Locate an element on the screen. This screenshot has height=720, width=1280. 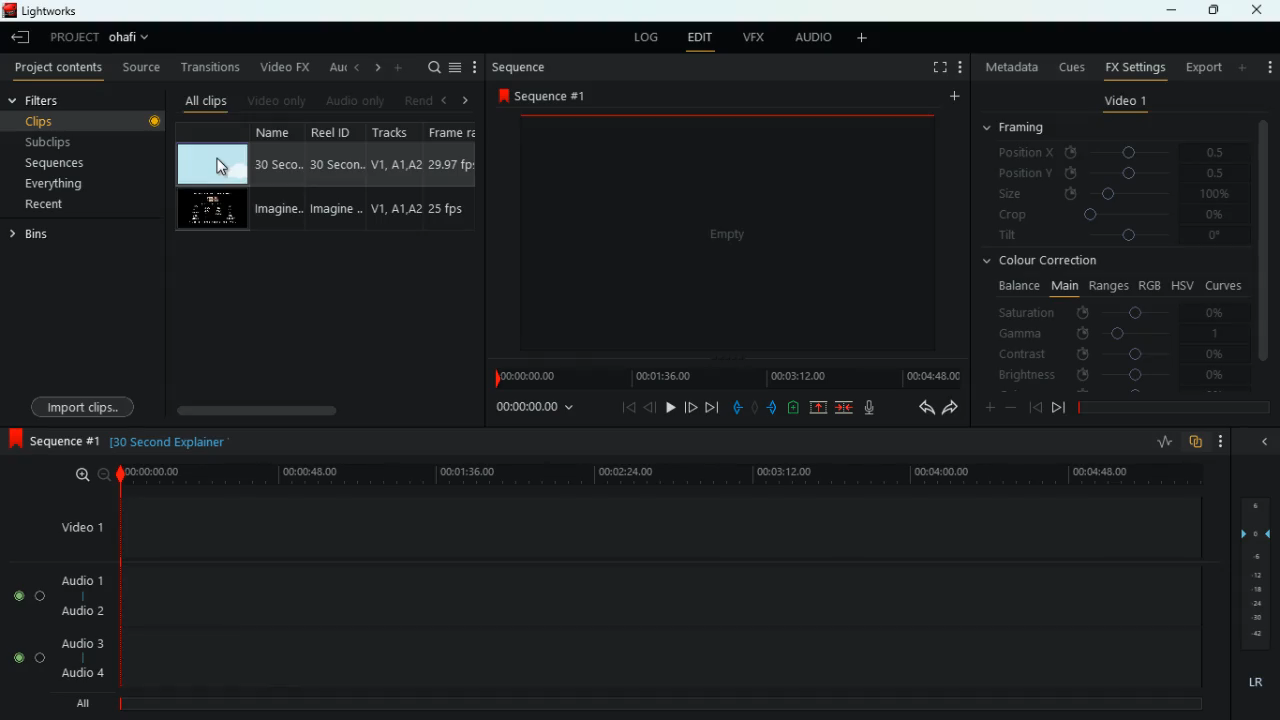
cues is located at coordinates (1066, 66).